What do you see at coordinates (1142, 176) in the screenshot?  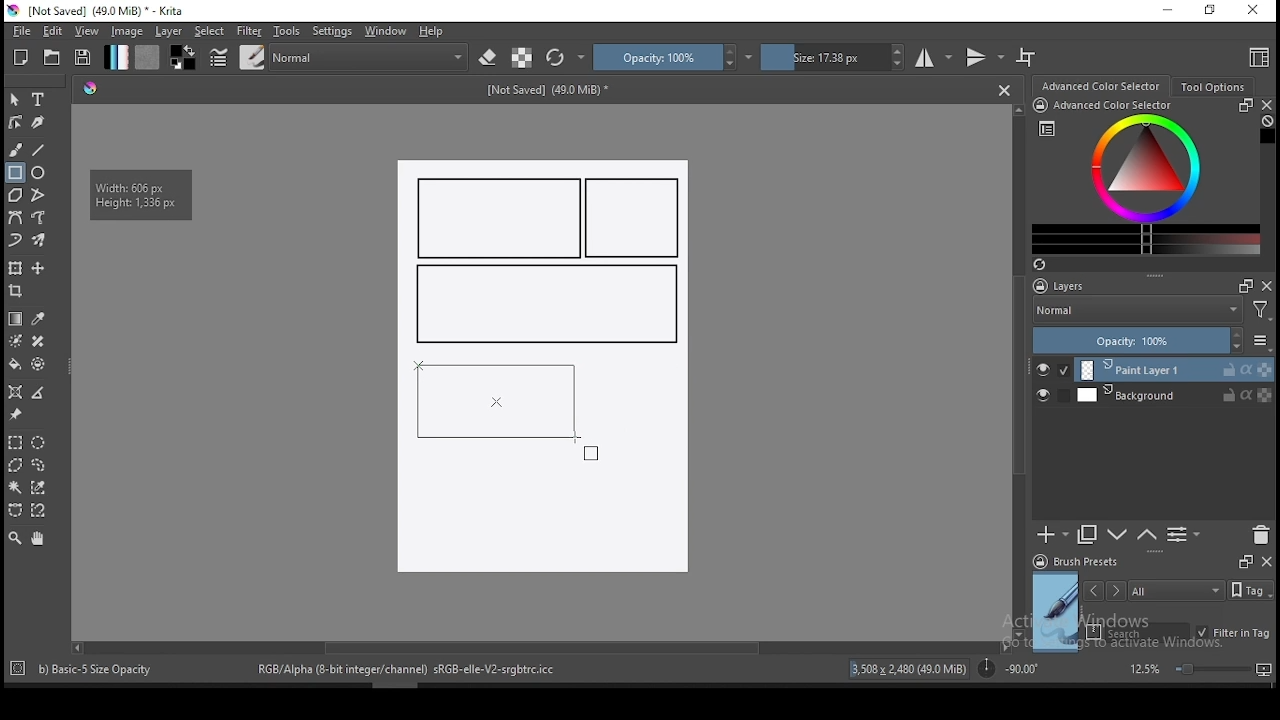 I see `advanced color selector` at bounding box center [1142, 176].